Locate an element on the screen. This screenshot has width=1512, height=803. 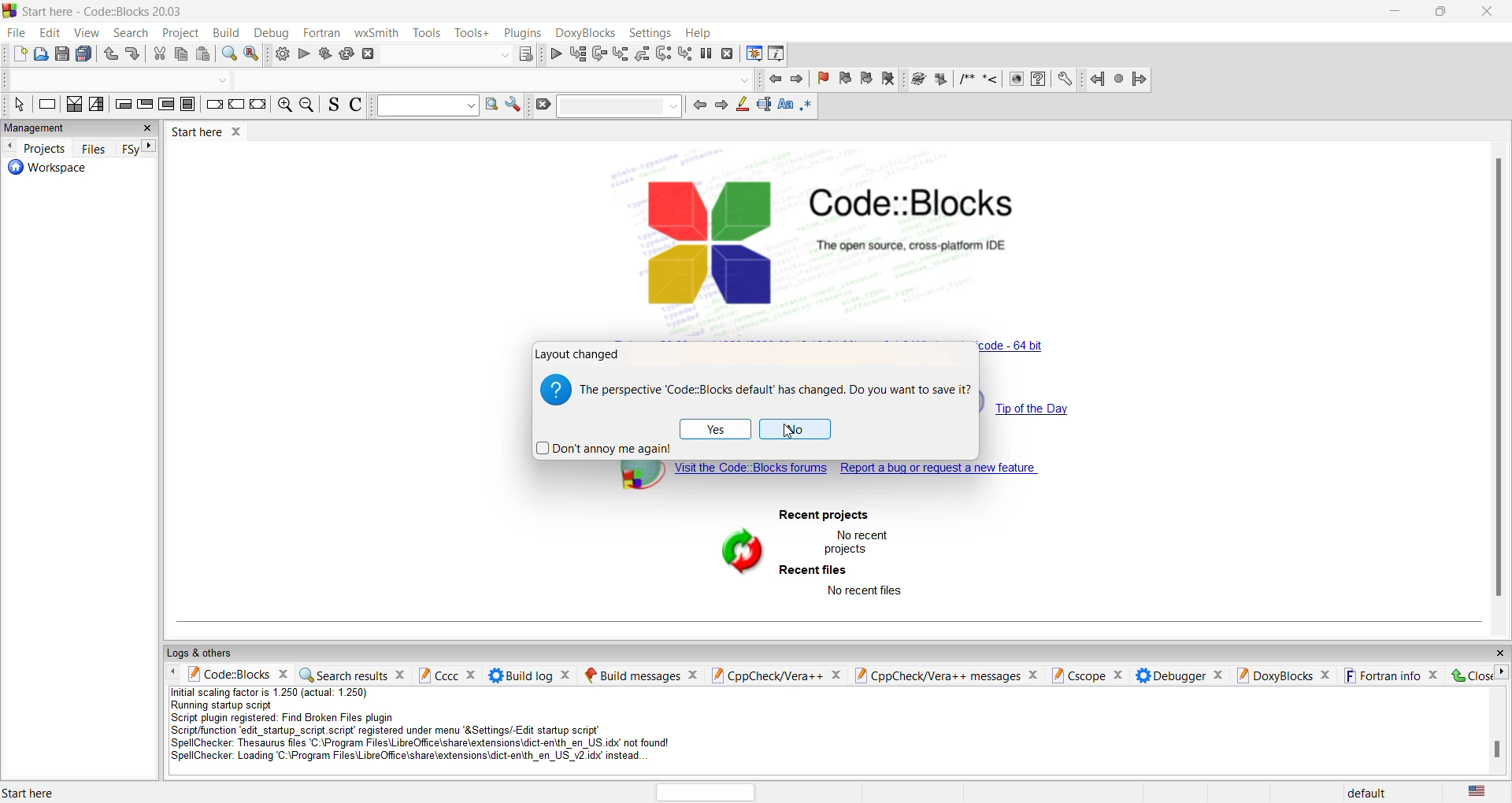
file is located at coordinates (20, 54).